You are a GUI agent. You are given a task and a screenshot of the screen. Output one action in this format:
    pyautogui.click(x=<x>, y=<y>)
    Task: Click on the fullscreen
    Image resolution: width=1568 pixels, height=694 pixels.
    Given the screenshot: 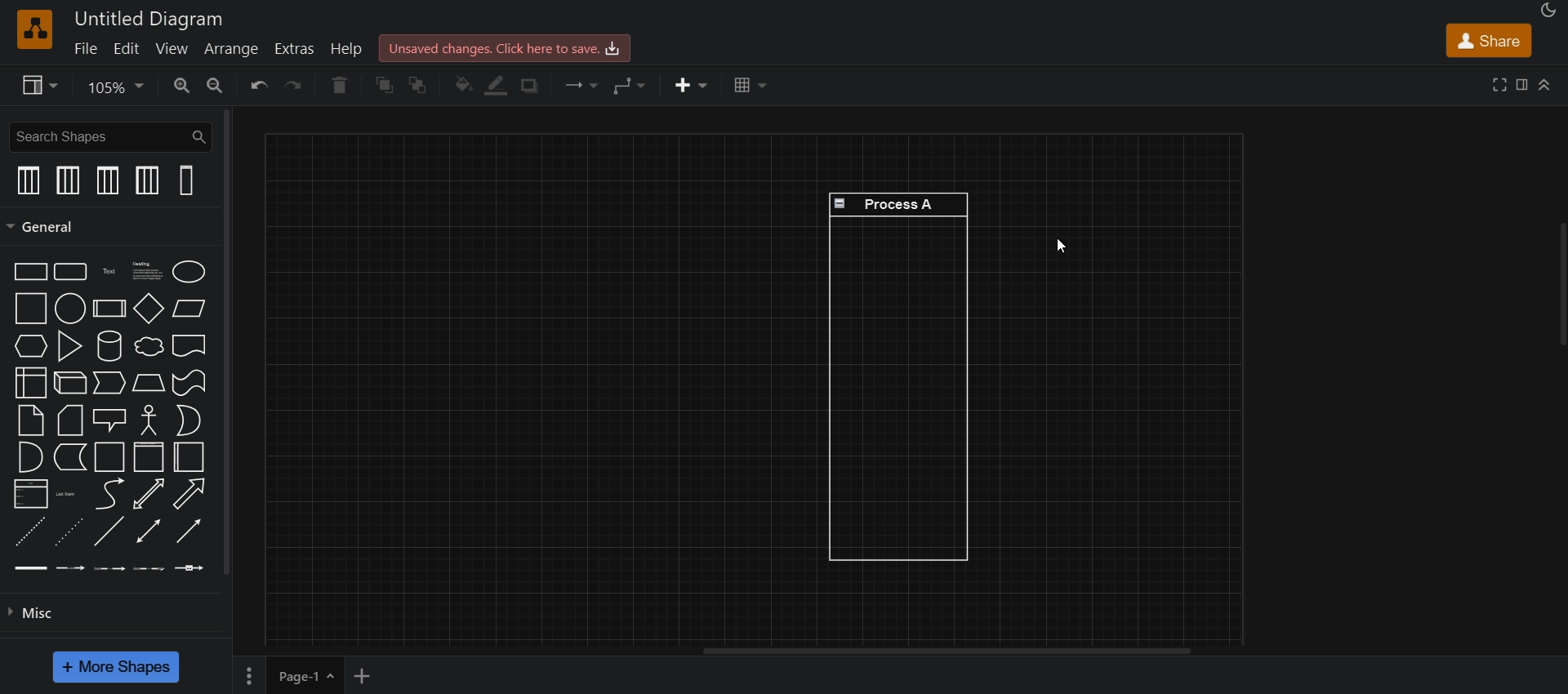 What is the action you would take?
    pyautogui.click(x=1501, y=84)
    